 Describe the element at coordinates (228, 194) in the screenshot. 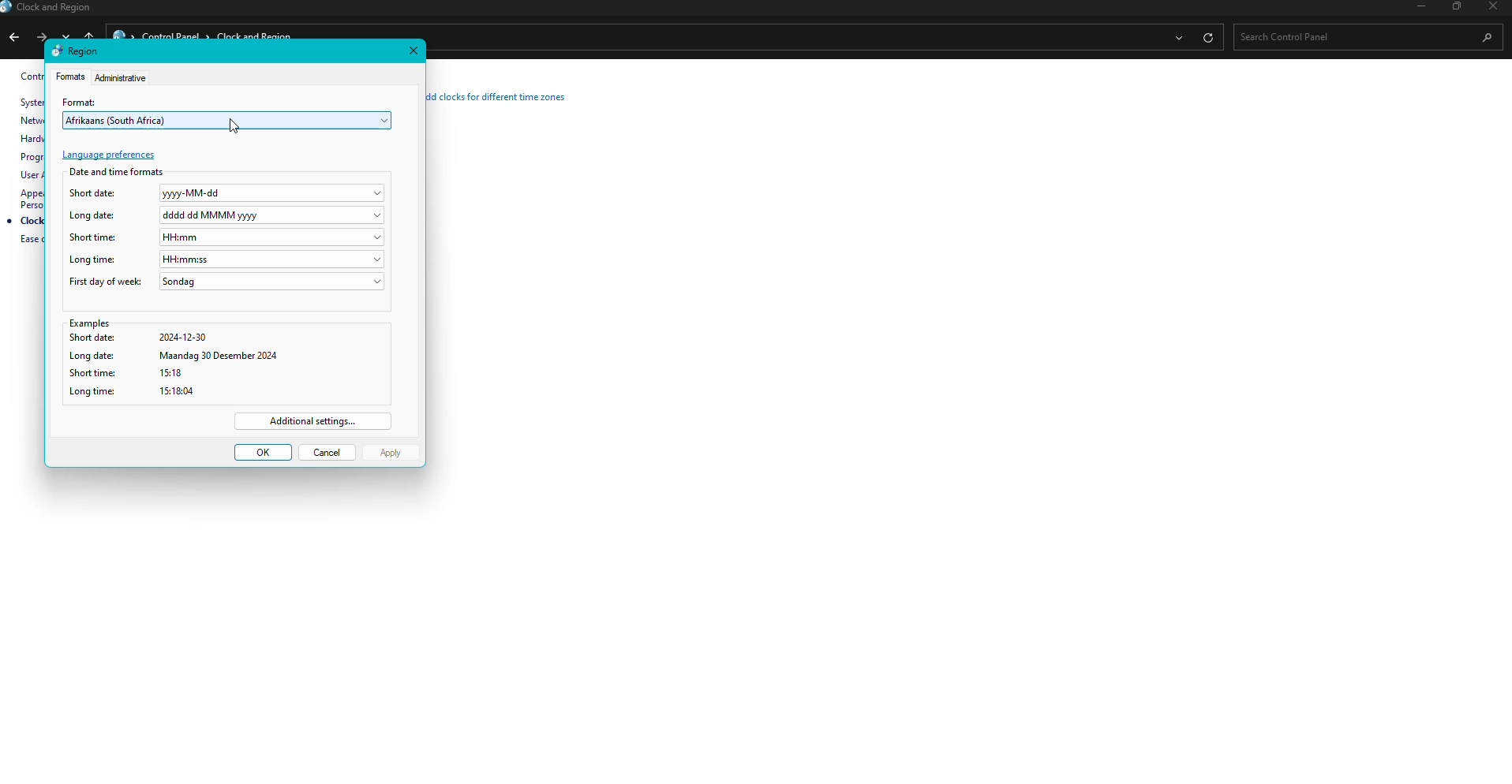

I see `Short date` at that location.